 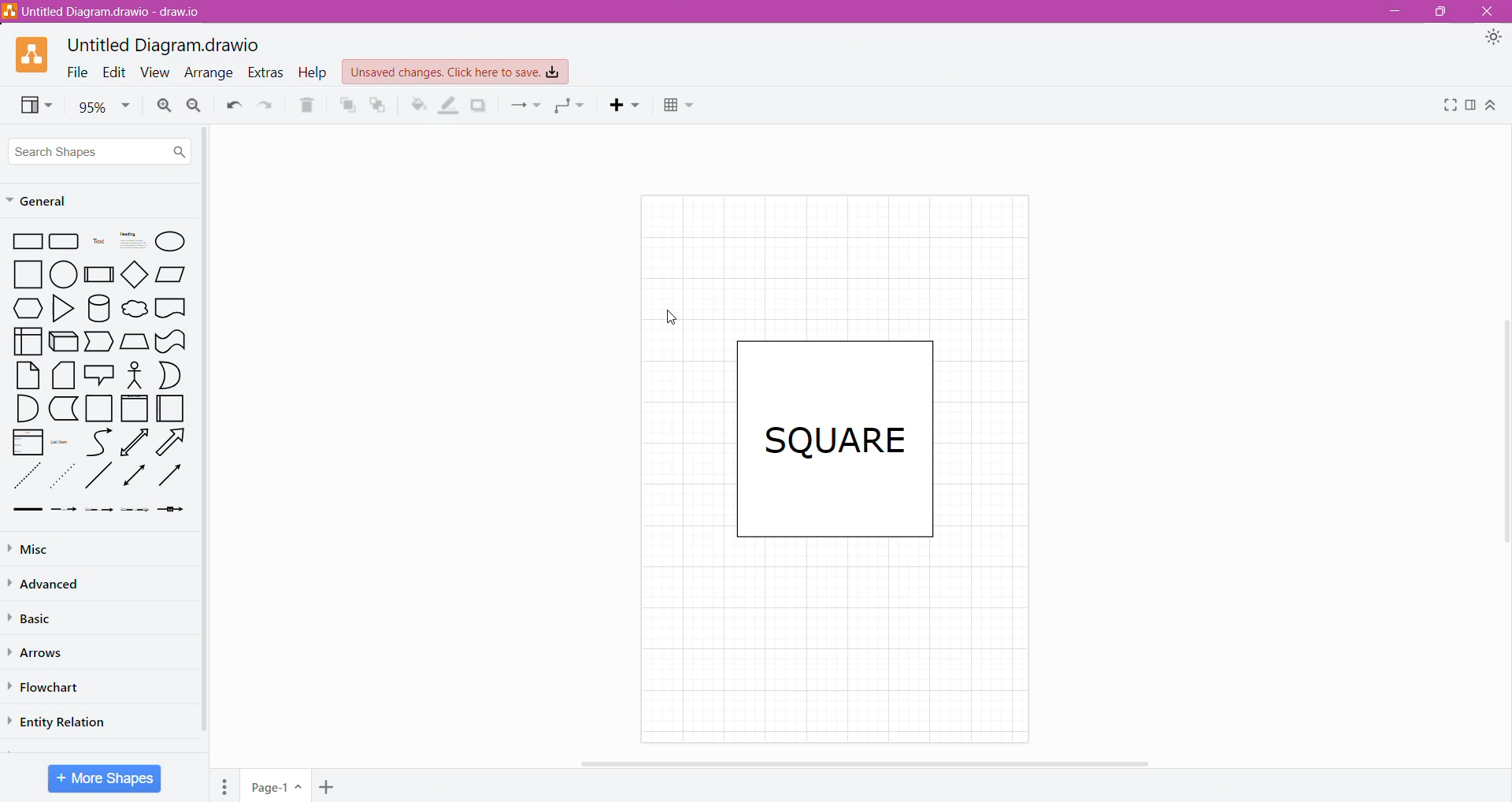 I want to click on Restore Down, so click(x=1440, y=12).